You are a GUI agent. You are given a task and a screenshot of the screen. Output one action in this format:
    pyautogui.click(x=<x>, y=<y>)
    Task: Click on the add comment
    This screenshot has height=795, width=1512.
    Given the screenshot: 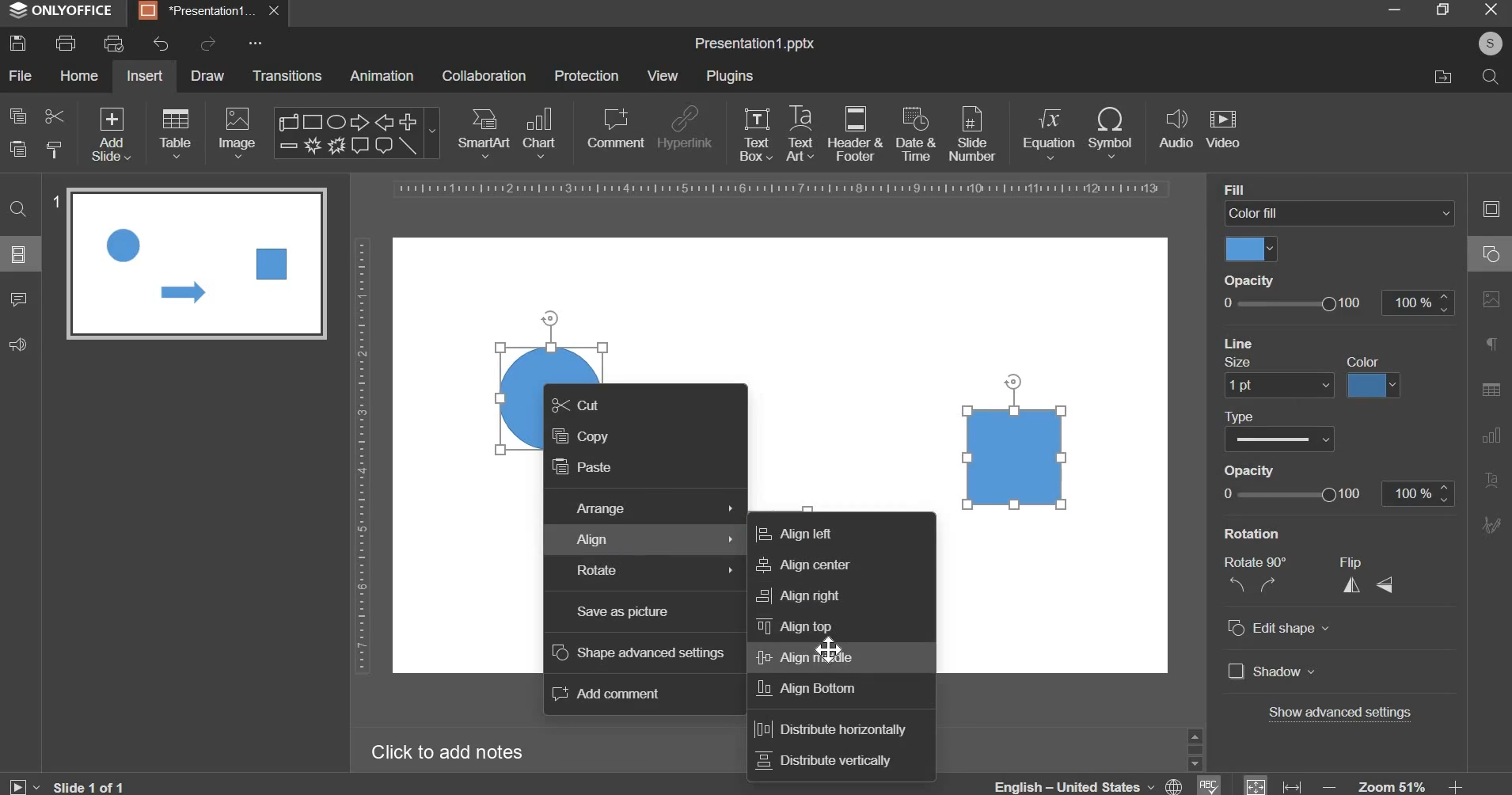 What is the action you would take?
    pyautogui.click(x=607, y=694)
    